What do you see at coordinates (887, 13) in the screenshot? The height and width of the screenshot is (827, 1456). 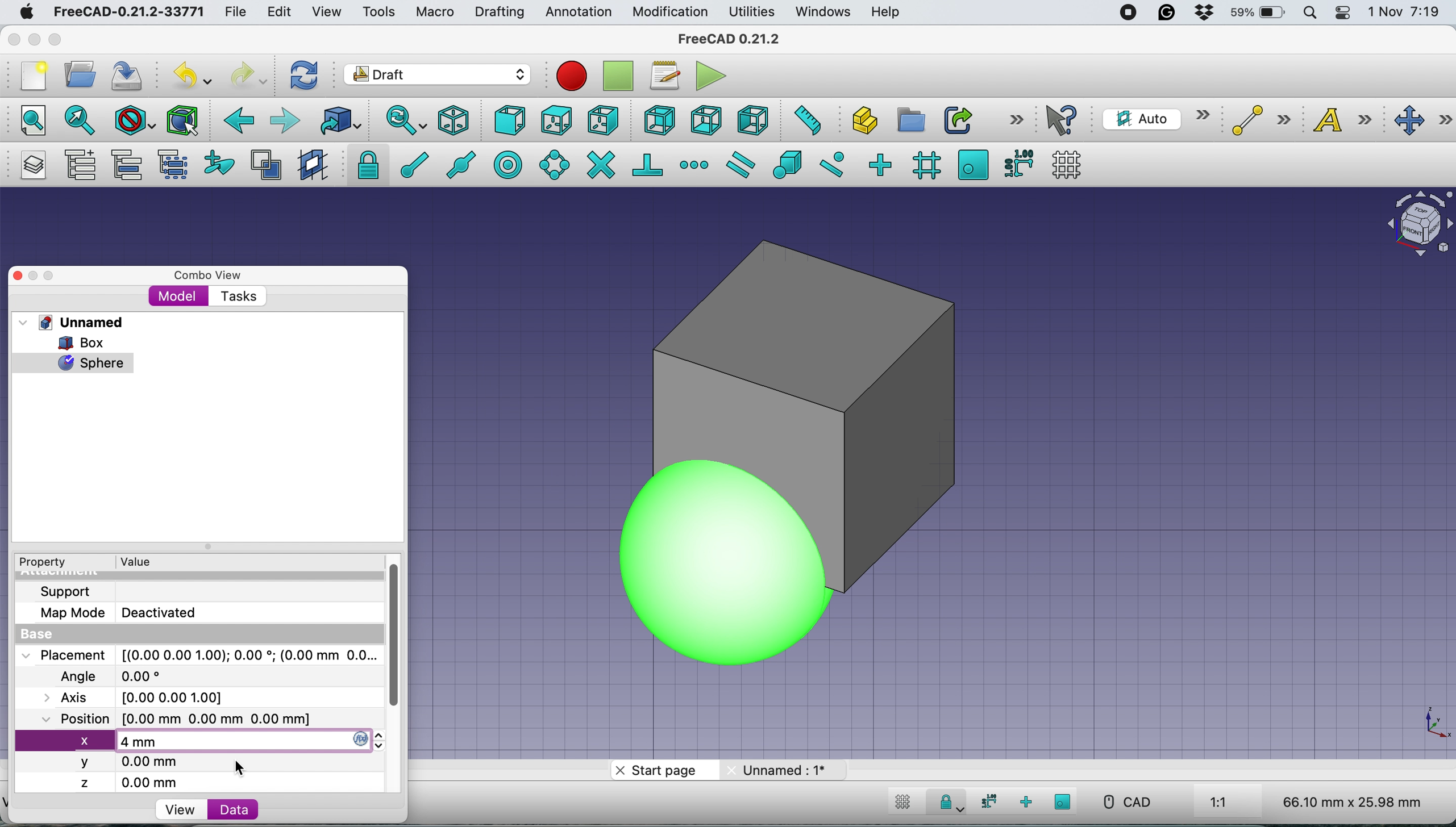 I see `help` at bounding box center [887, 13].